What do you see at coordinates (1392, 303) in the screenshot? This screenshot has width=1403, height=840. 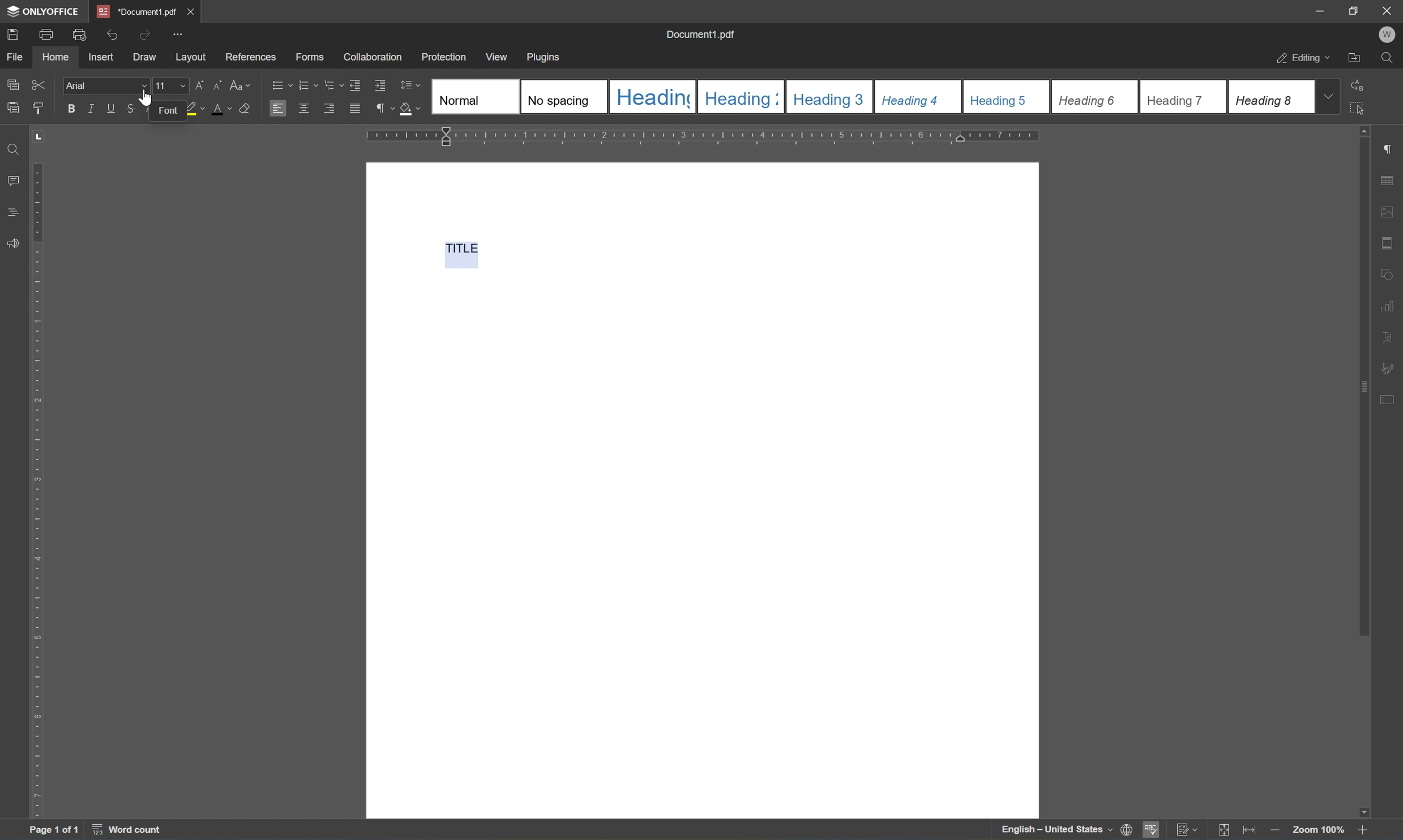 I see `chart settings` at bounding box center [1392, 303].